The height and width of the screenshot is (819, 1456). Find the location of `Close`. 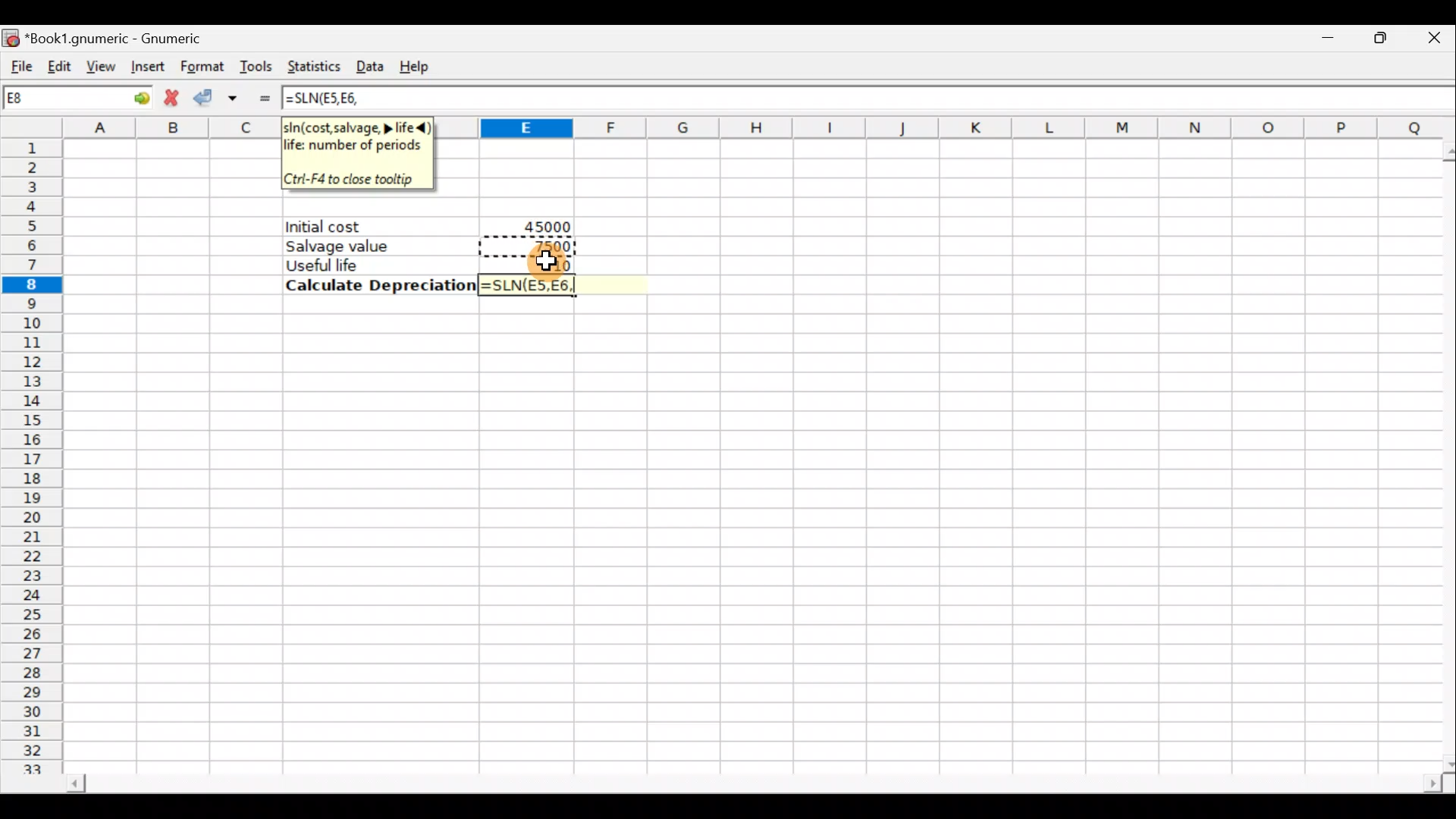

Close is located at coordinates (1425, 42).